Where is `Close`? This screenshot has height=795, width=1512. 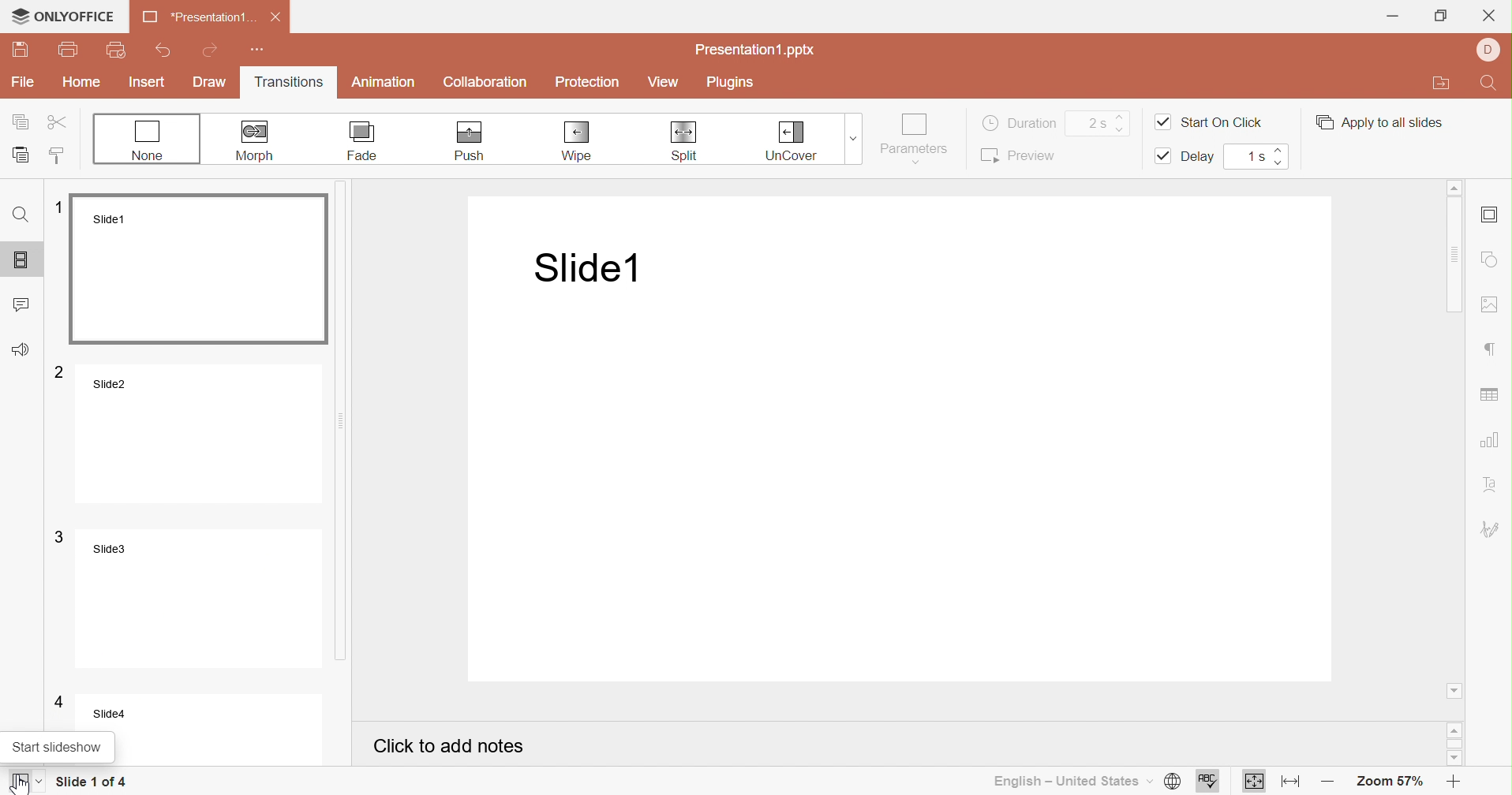 Close is located at coordinates (275, 17).